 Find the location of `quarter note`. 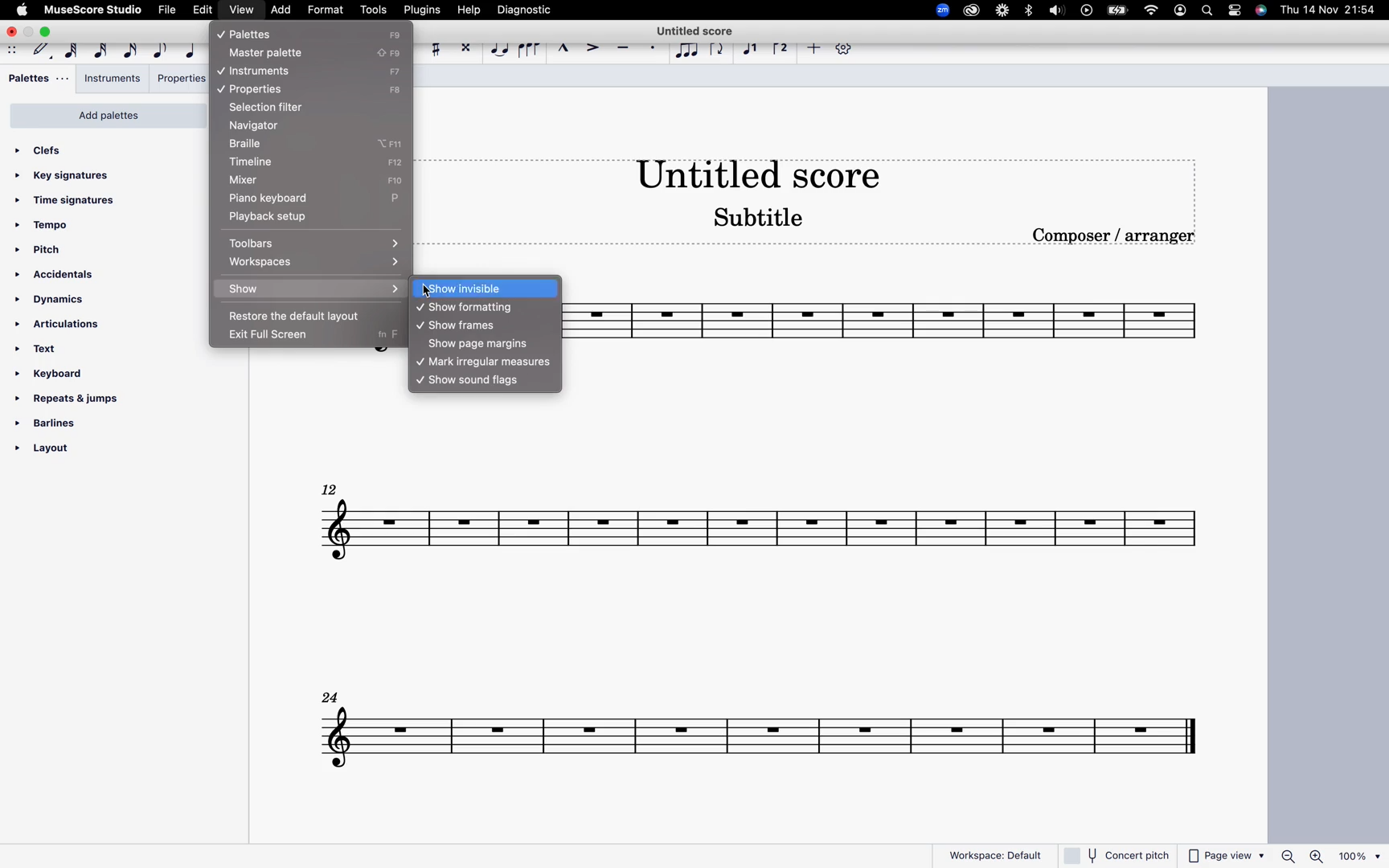

quarter note is located at coordinates (190, 52).